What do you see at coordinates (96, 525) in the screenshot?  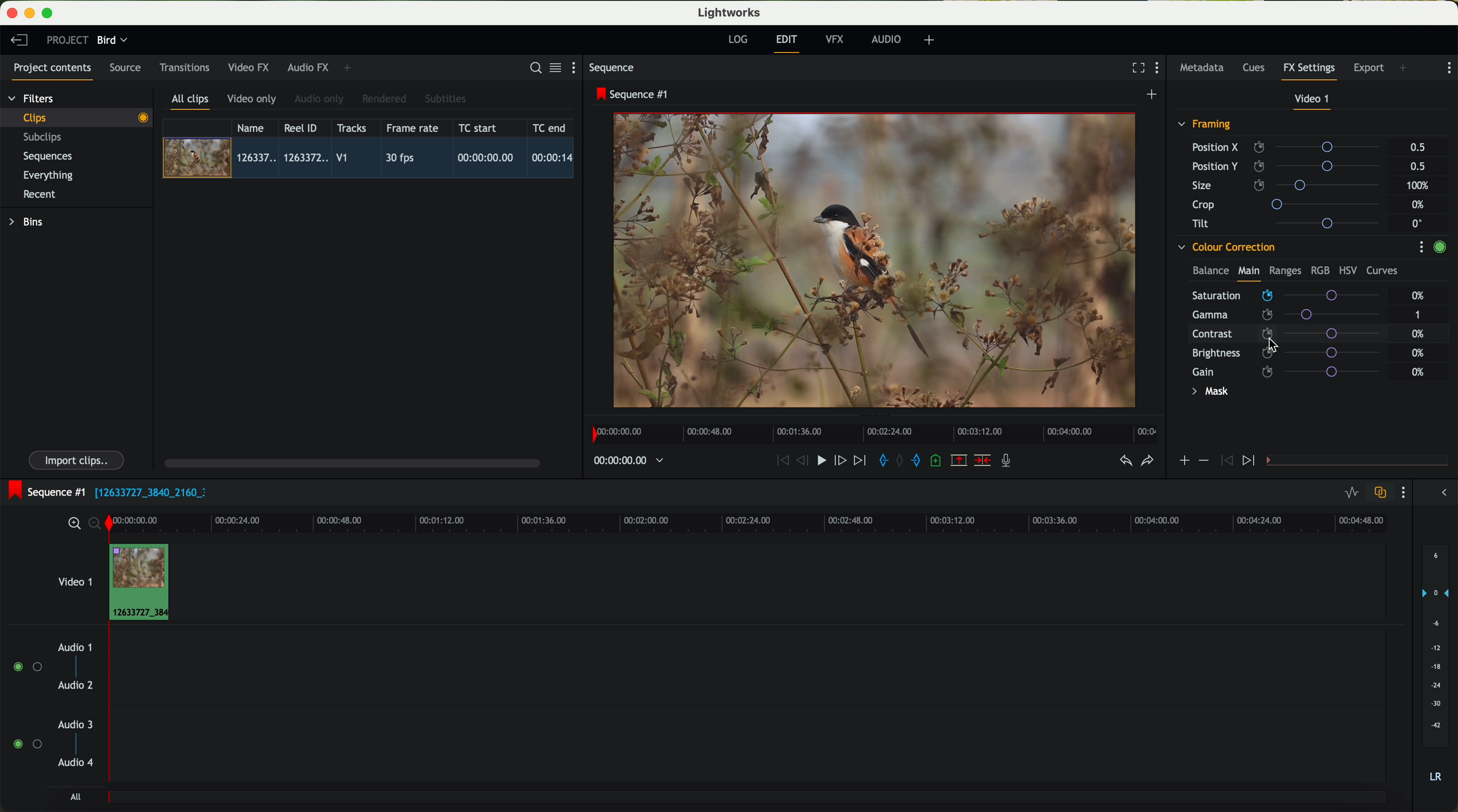 I see `zoom out` at bounding box center [96, 525].